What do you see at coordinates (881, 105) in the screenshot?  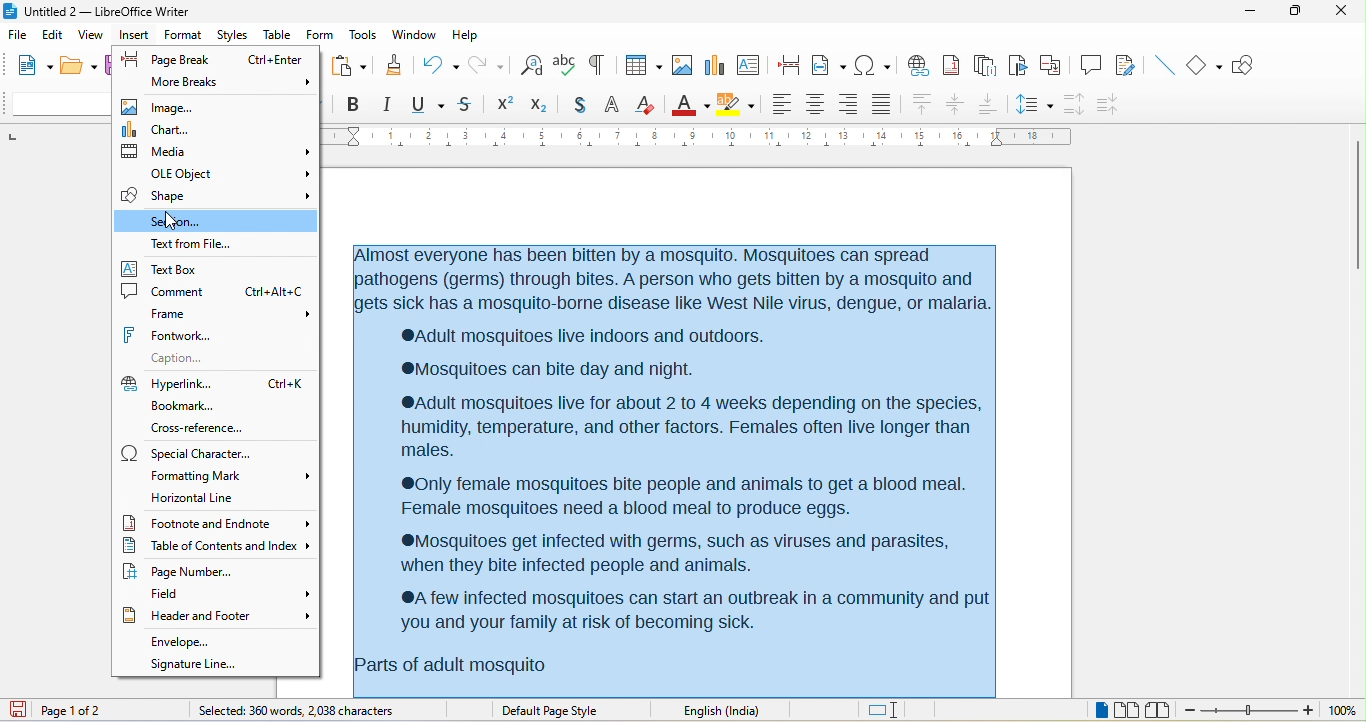 I see `justified` at bounding box center [881, 105].